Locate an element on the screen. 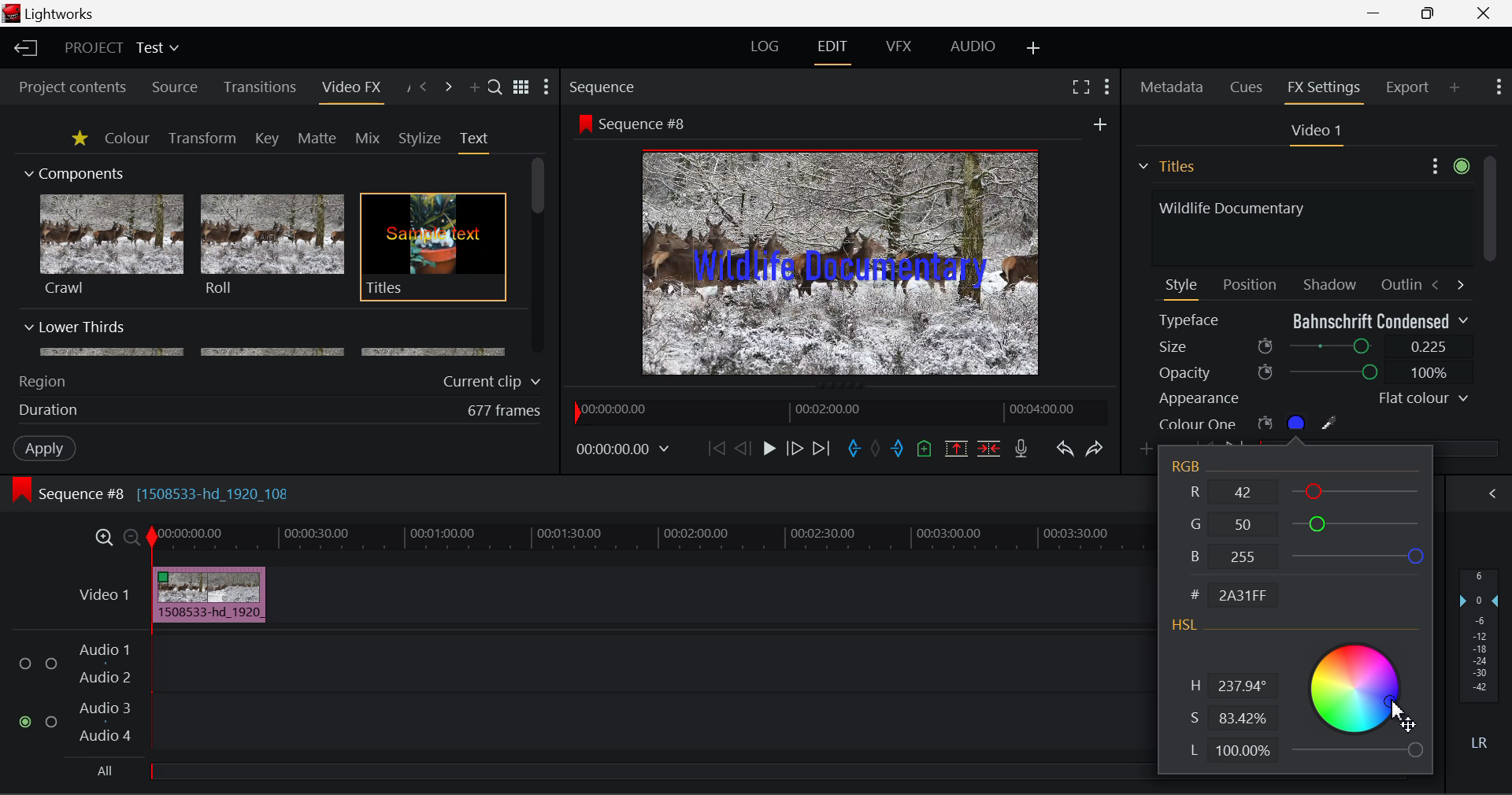 The height and width of the screenshot is (795, 1512). AUDIO Layout is located at coordinates (972, 48).